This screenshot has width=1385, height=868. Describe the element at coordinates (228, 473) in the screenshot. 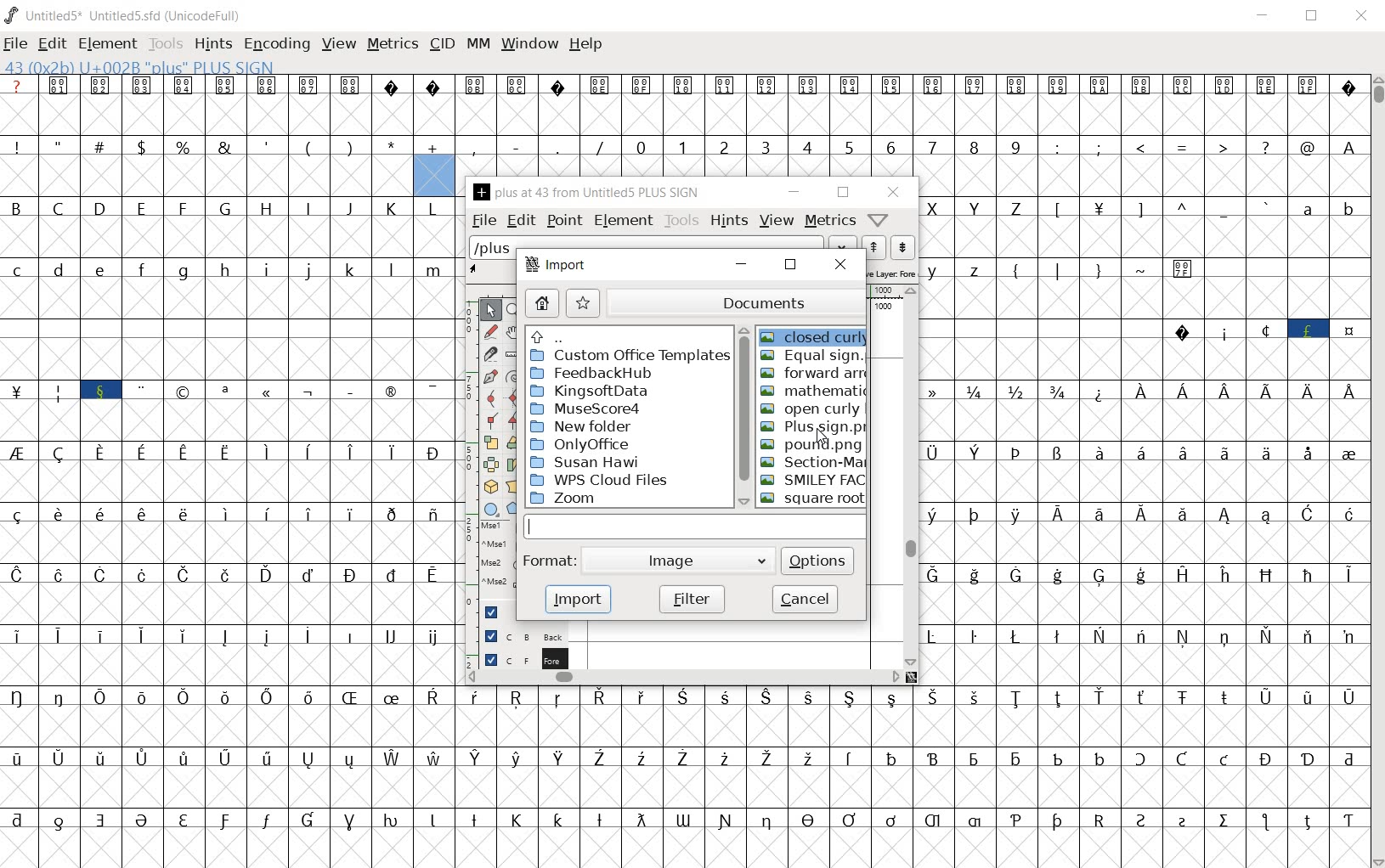

I see `` at that location.